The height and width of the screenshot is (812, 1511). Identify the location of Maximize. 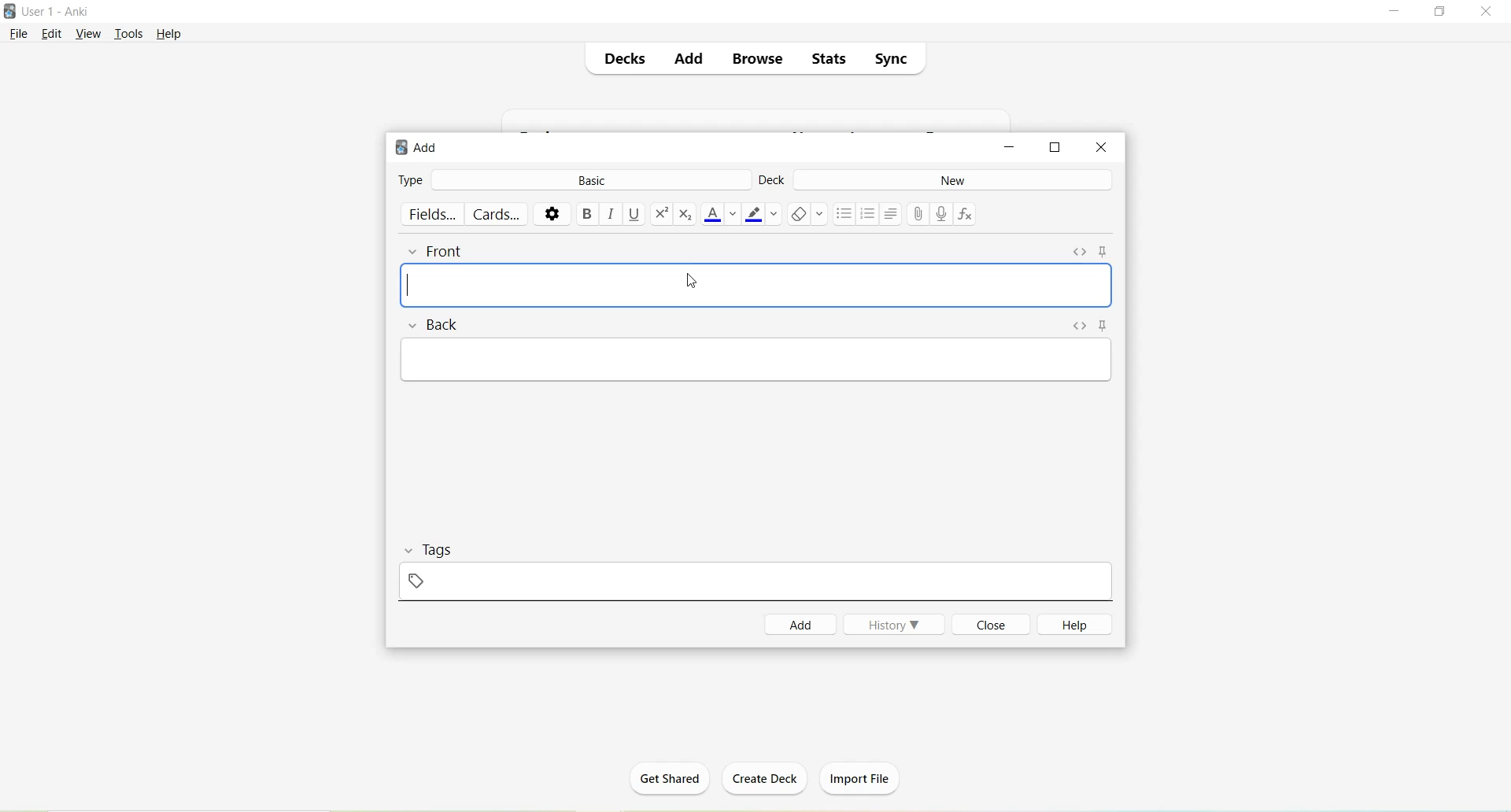
(1440, 12).